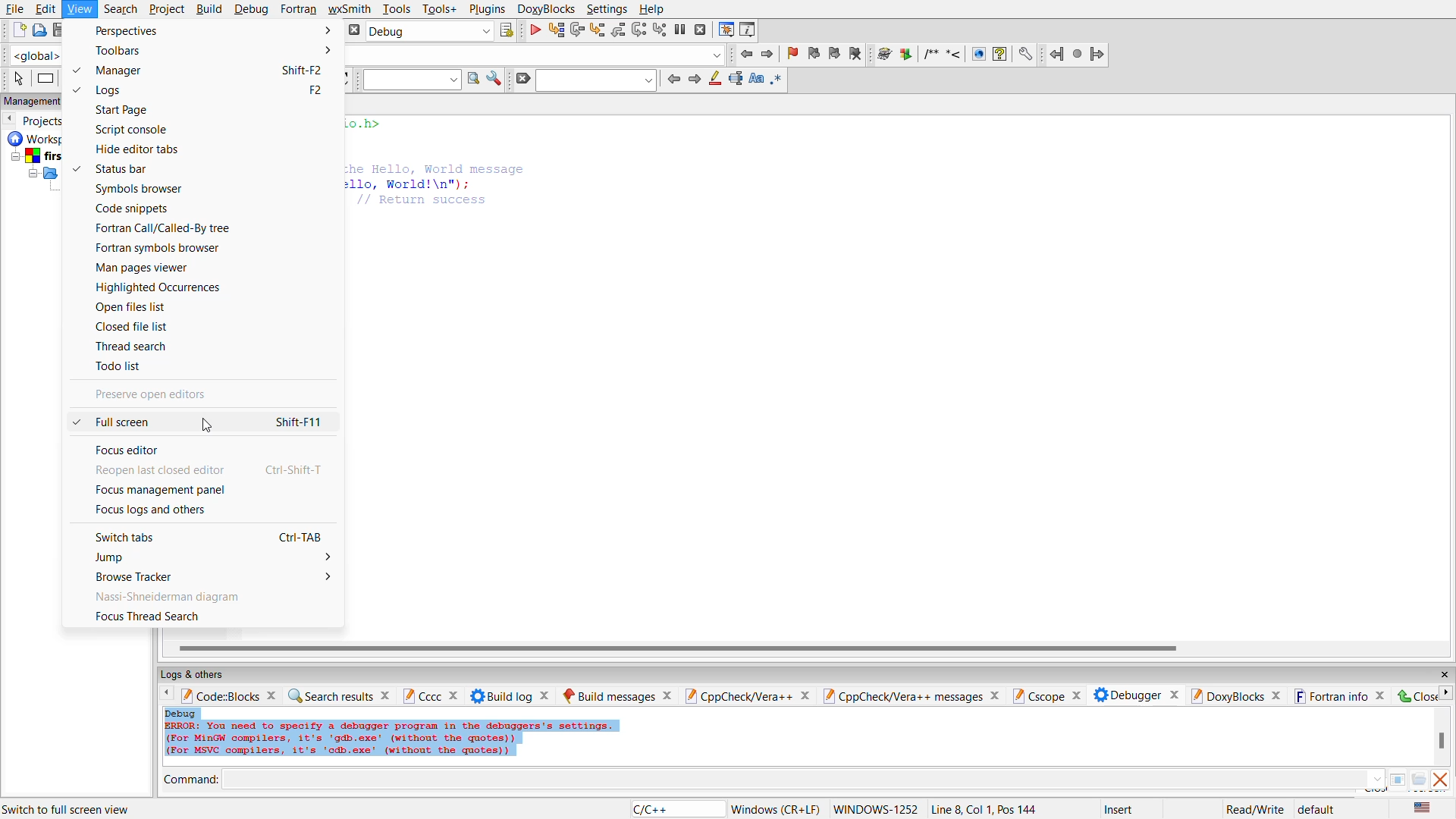  I want to click on fortran project, so click(1077, 53).